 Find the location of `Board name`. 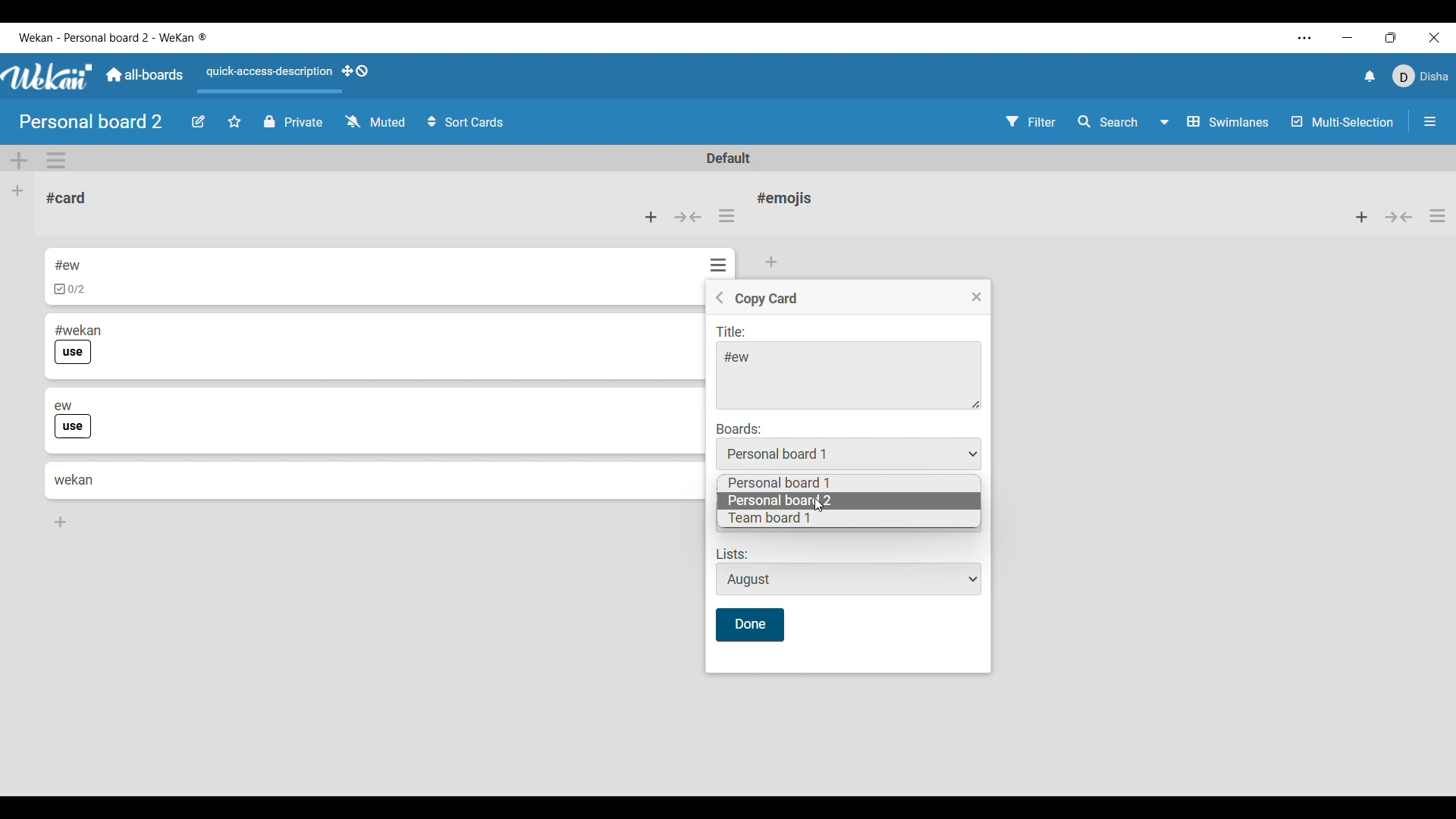

Board name is located at coordinates (93, 121).